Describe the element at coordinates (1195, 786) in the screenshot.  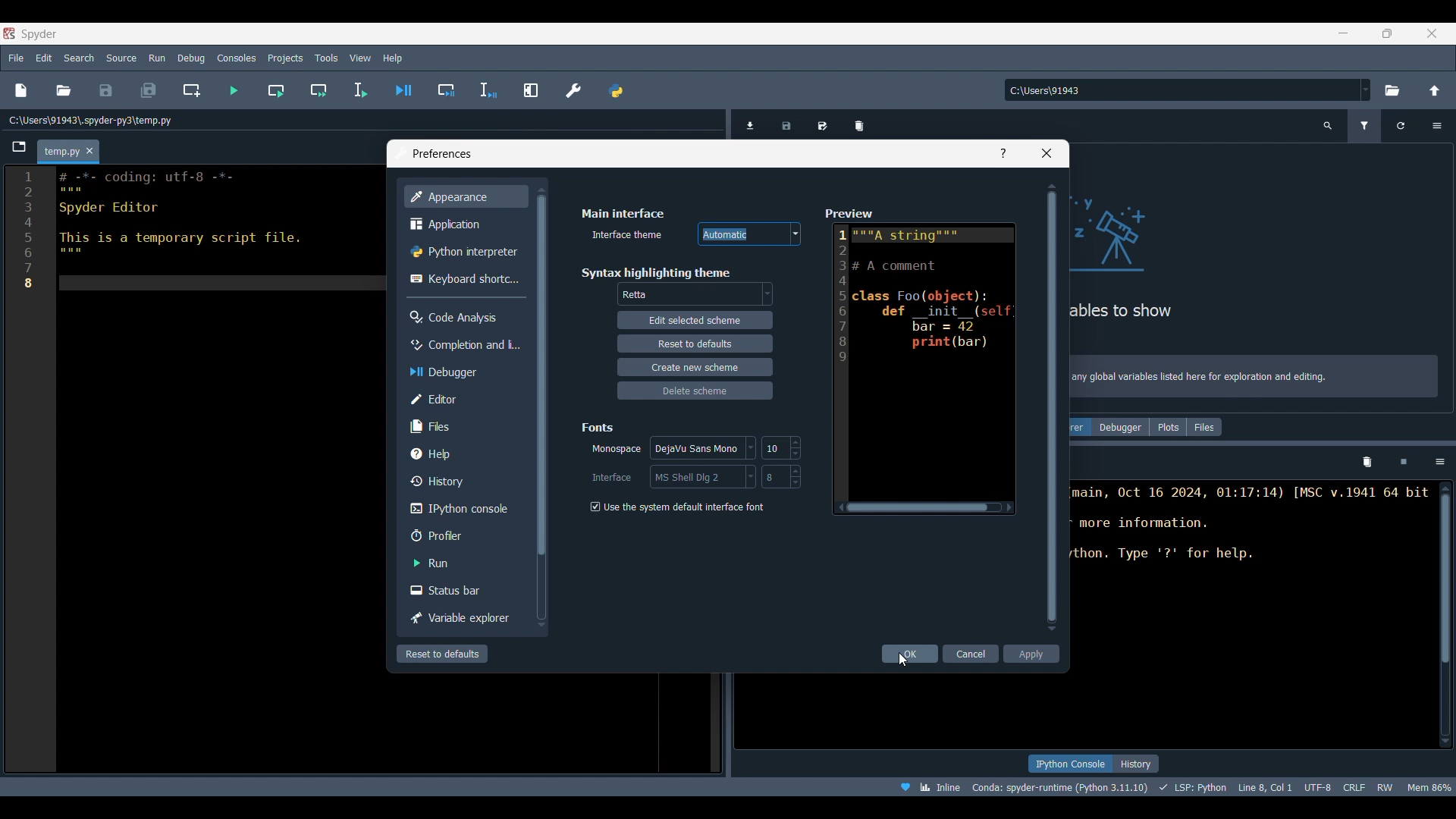
I see `programming language` at that location.